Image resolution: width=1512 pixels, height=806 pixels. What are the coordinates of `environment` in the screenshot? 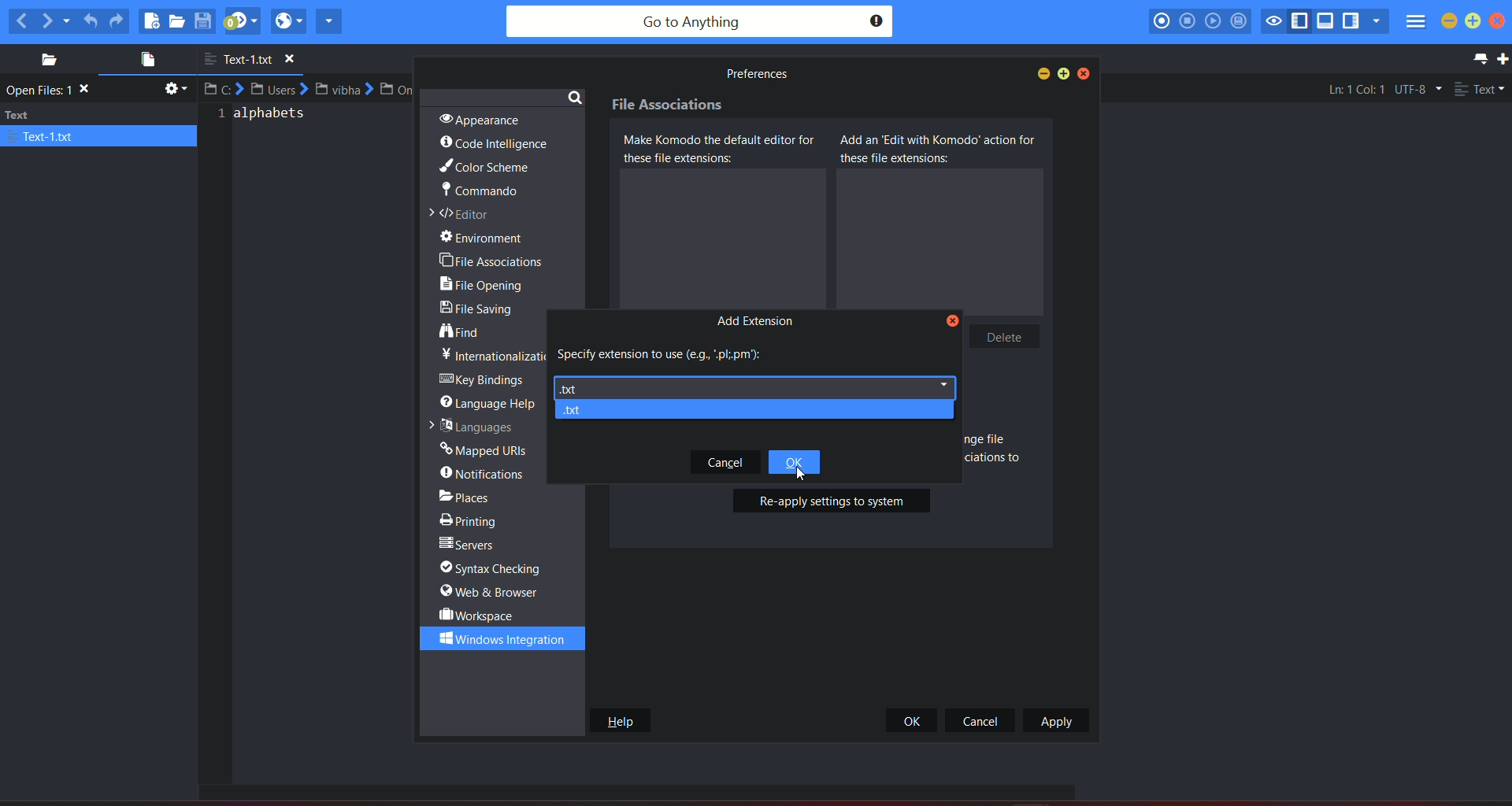 It's located at (487, 238).